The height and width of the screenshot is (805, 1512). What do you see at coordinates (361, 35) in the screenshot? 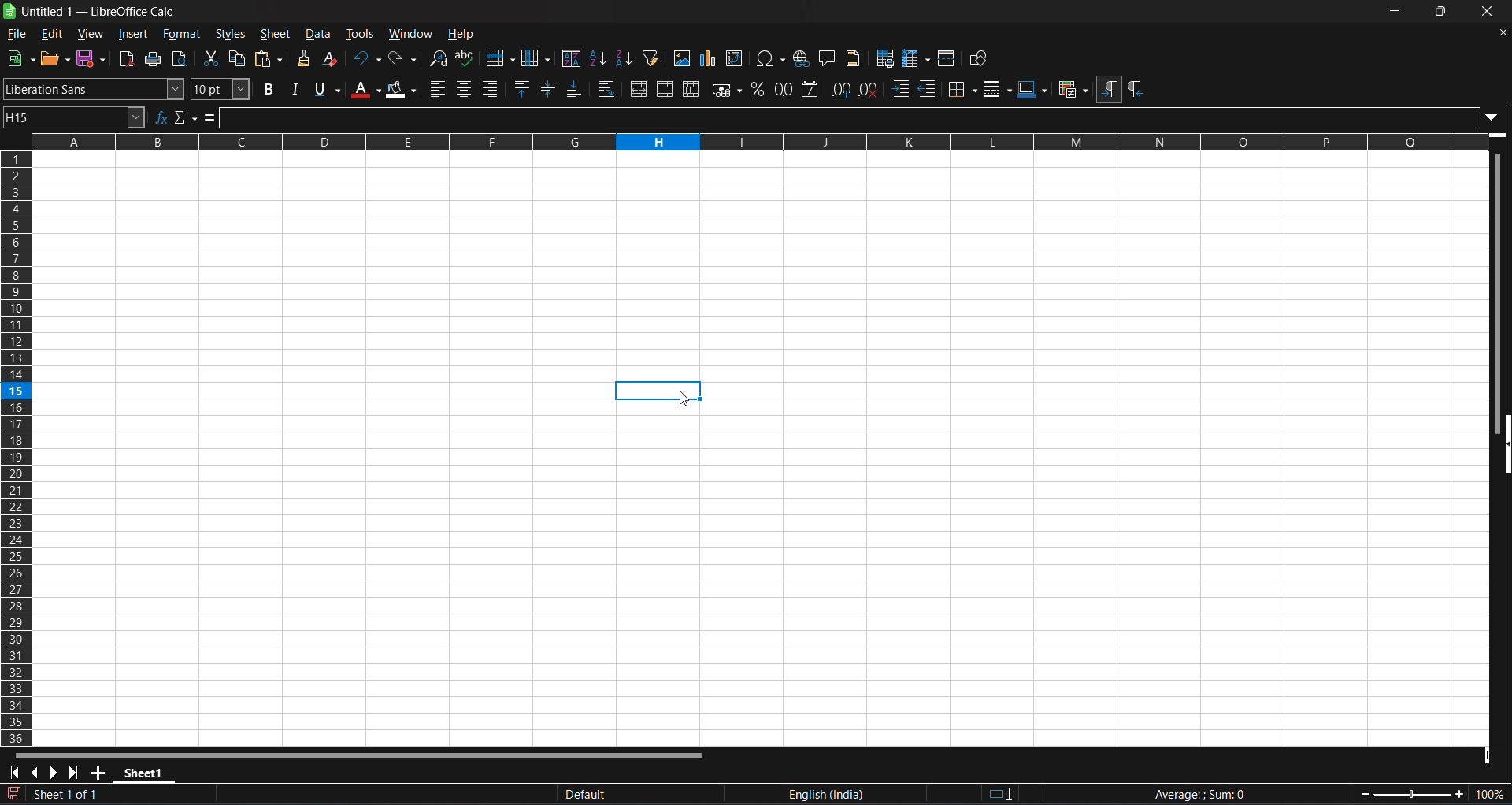
I see `tools` at bounding box center [361, 35].